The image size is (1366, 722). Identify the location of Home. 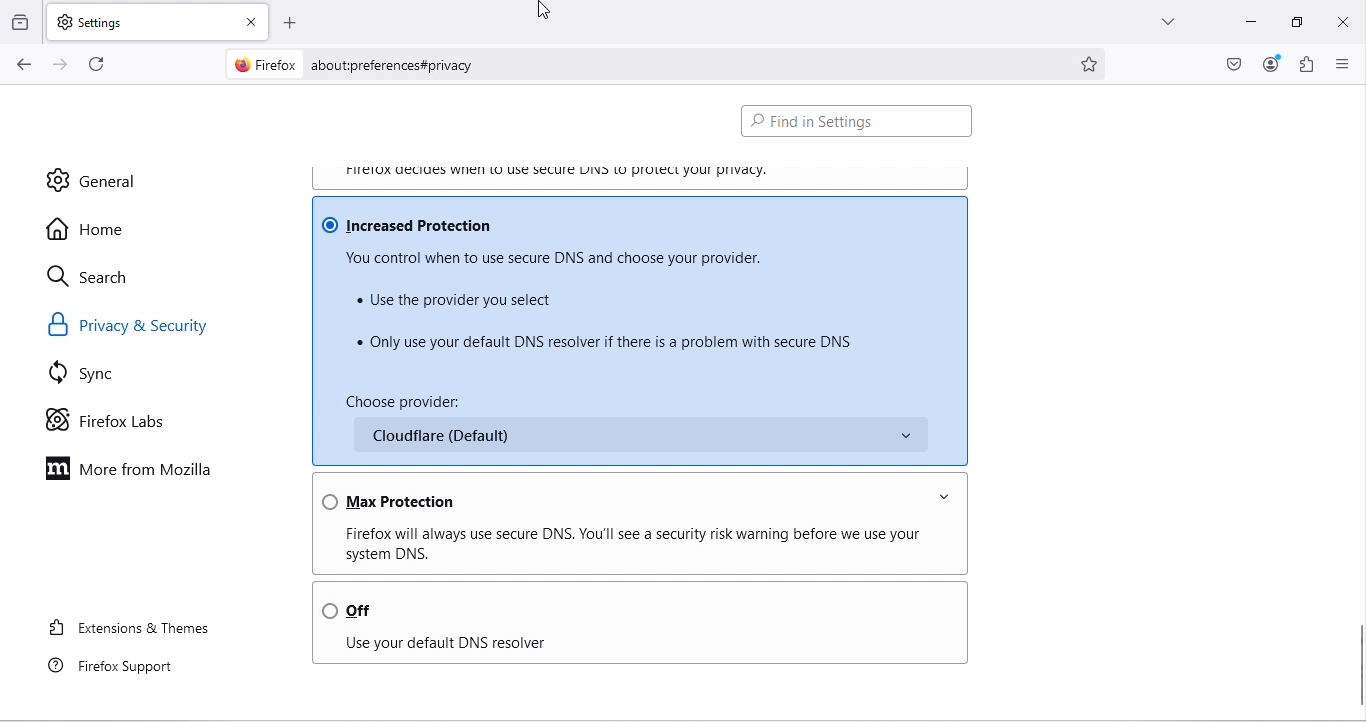
(88, 228).